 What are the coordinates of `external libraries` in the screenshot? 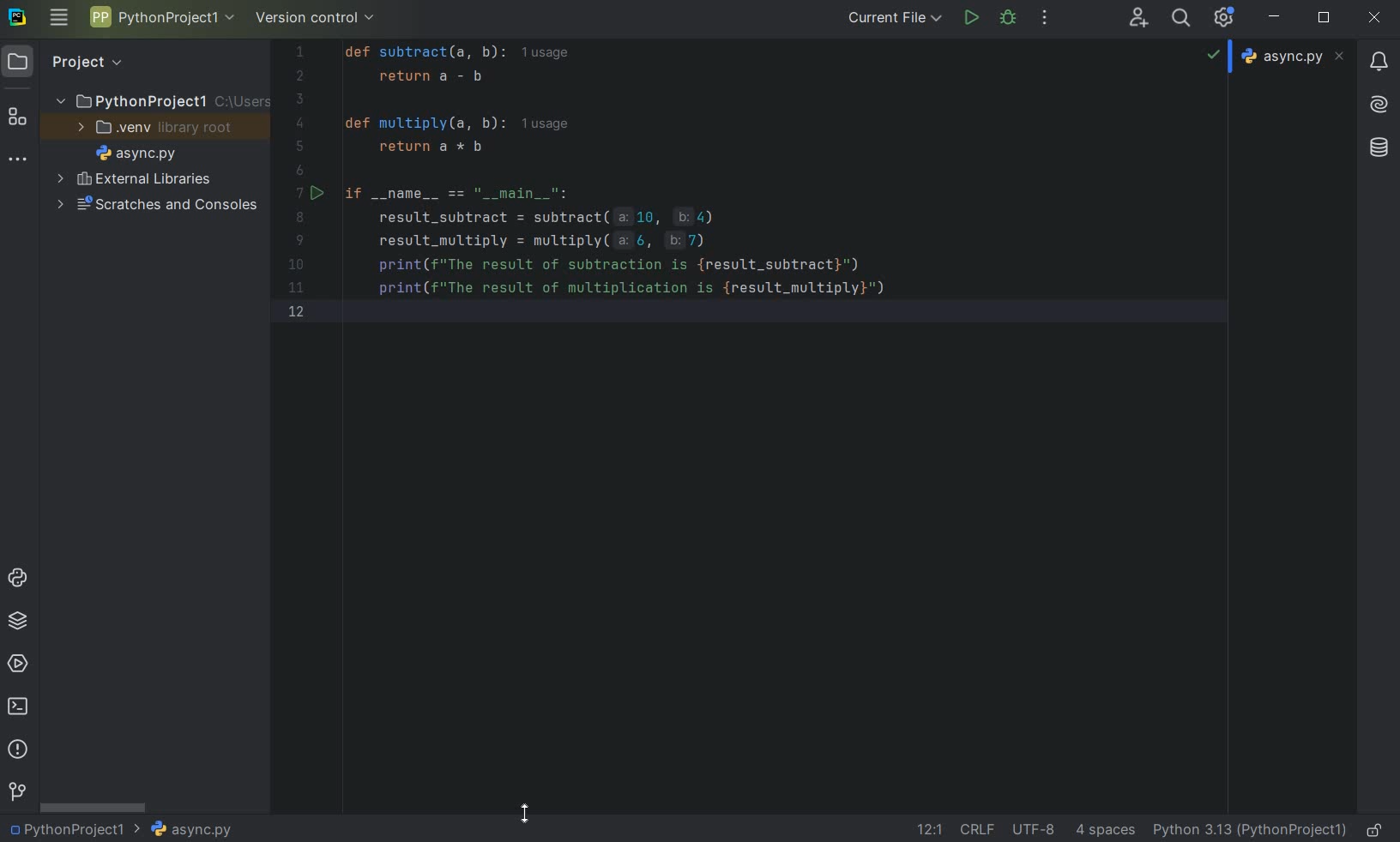 It's located at (136, 178).